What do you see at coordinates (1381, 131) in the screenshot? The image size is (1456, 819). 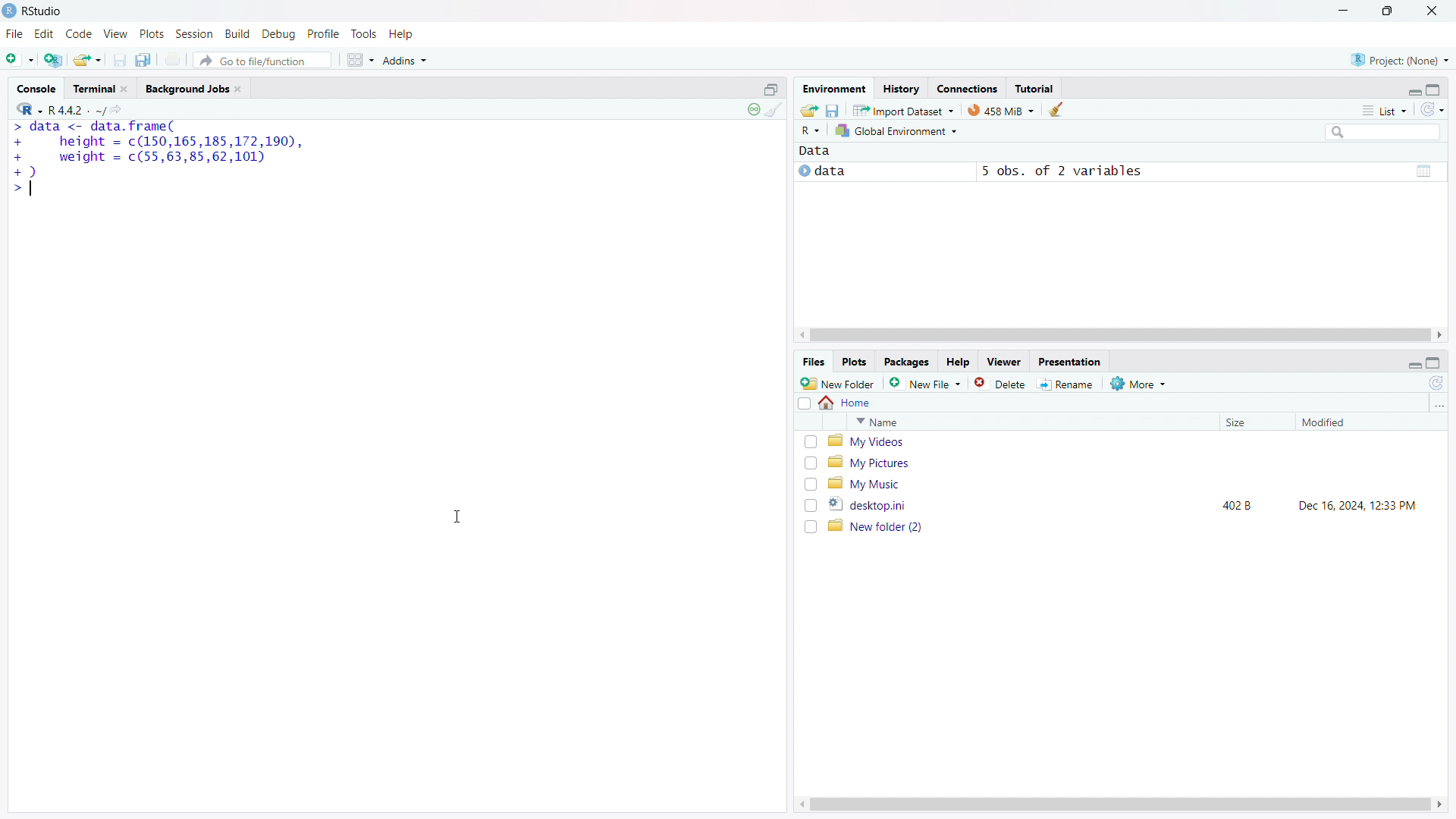 I see `search` at bounding box center [1381, 131].